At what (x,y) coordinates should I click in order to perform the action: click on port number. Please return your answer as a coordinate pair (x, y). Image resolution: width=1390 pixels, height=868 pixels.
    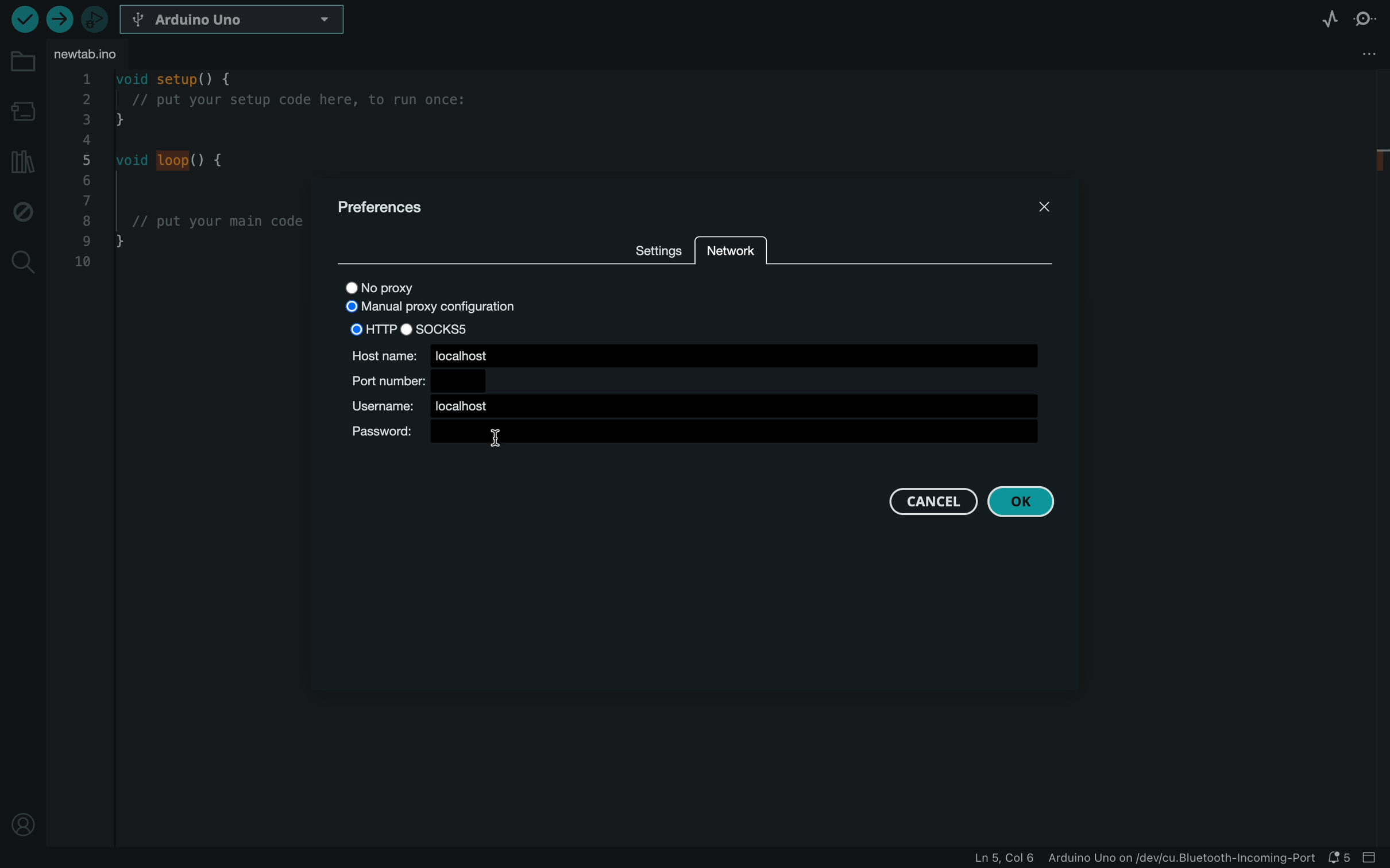
    Looking at the image, I should click on (415, 379).